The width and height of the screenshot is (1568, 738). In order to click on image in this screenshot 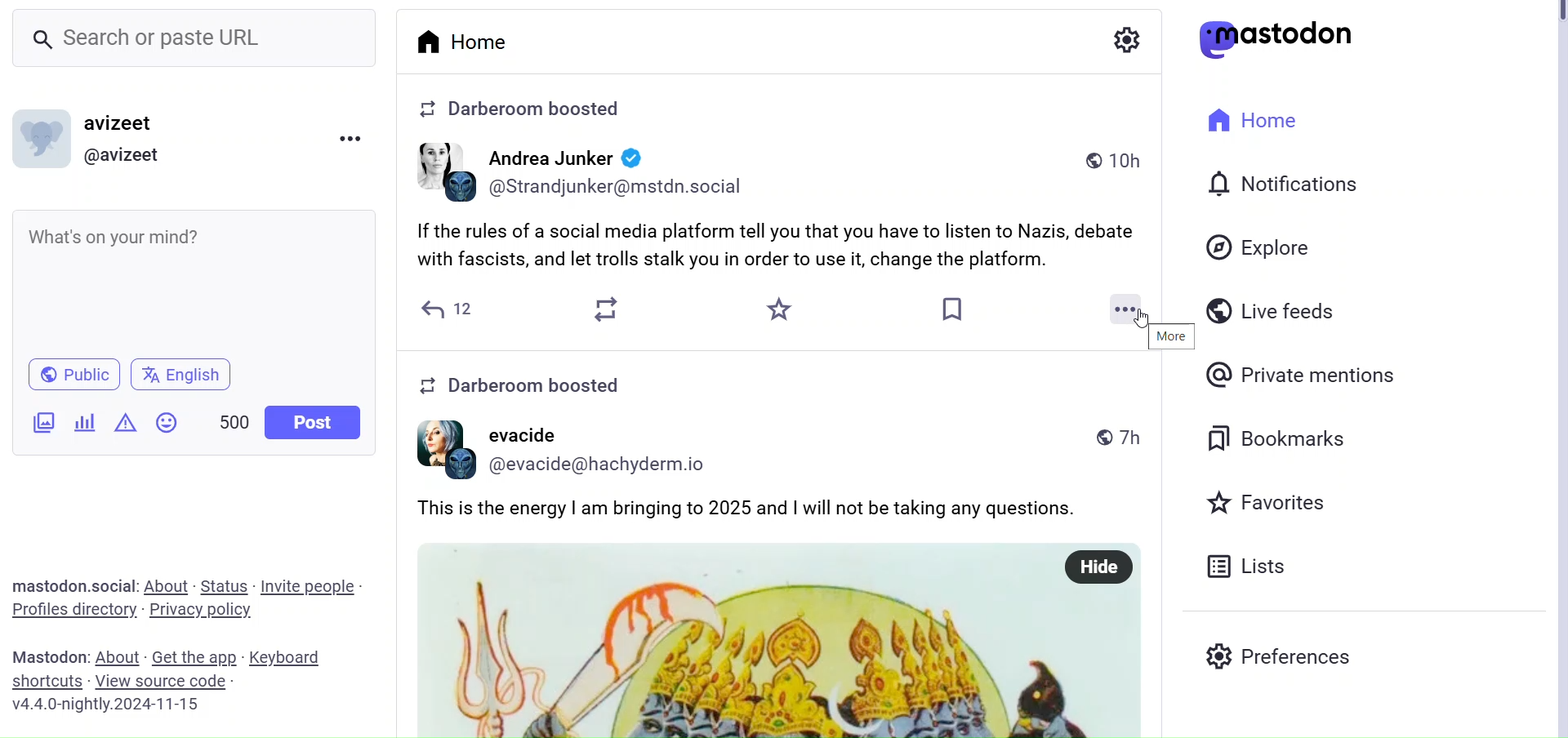, I will do `click(788, 660)`.